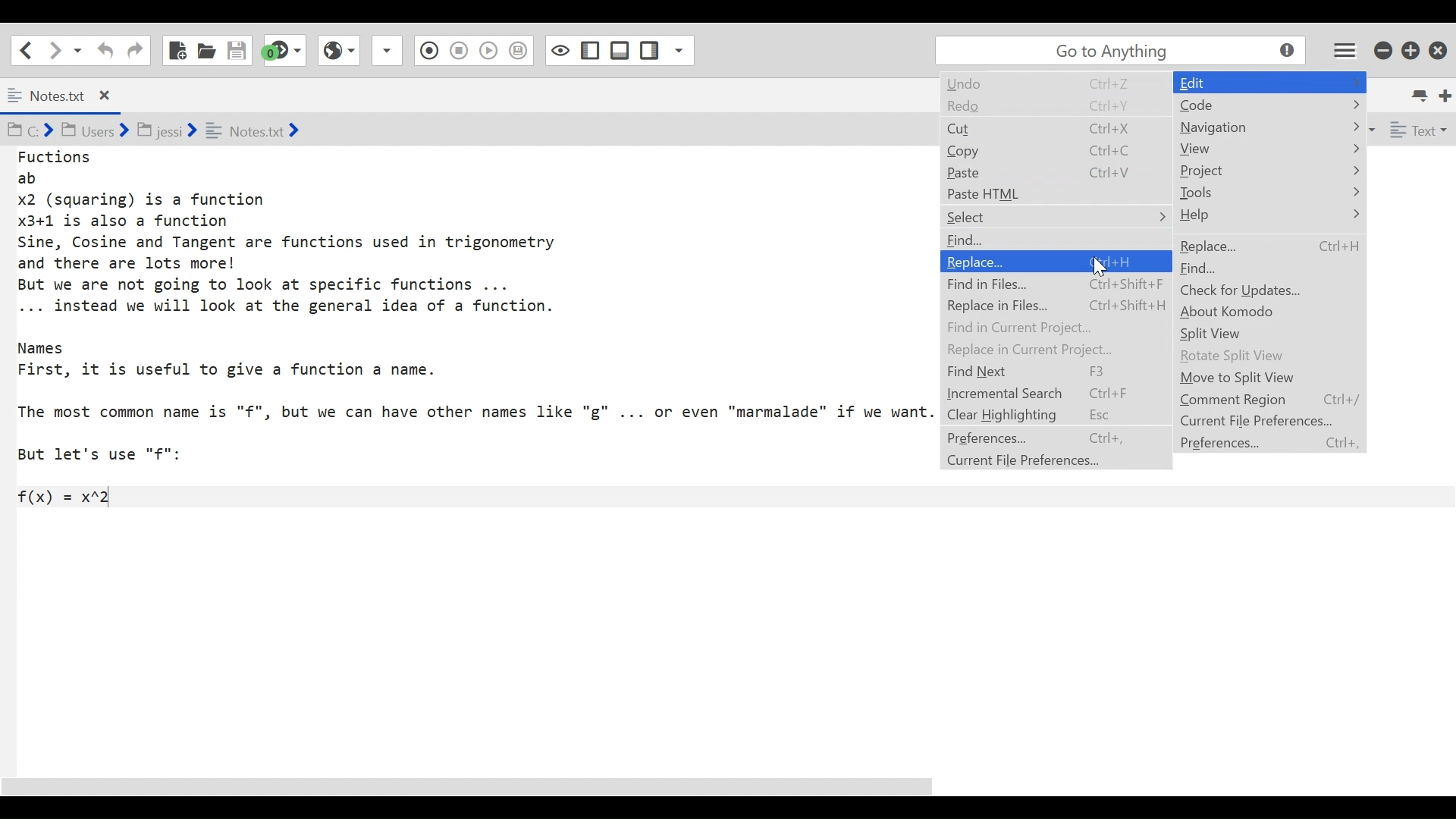 The width and height of the screenshot is (1456, 819). Describe the element at coordinates (1245, 292) in the screenshot. I see `check for Updates...` at that location.